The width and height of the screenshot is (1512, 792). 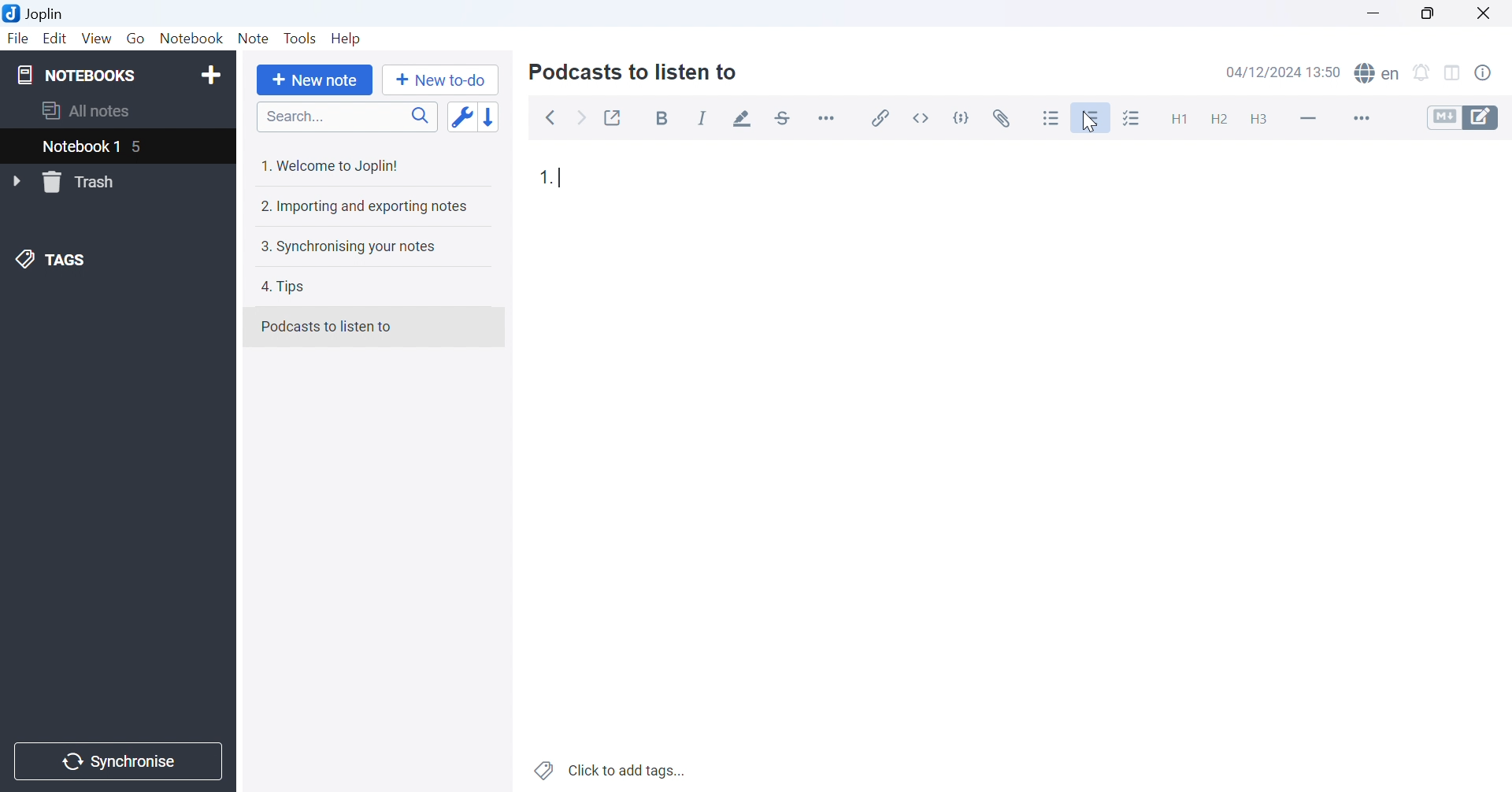 What do you see at coordinates (346, 117) in the screenshot?
I see `Search` at bounding box center [346, 117].